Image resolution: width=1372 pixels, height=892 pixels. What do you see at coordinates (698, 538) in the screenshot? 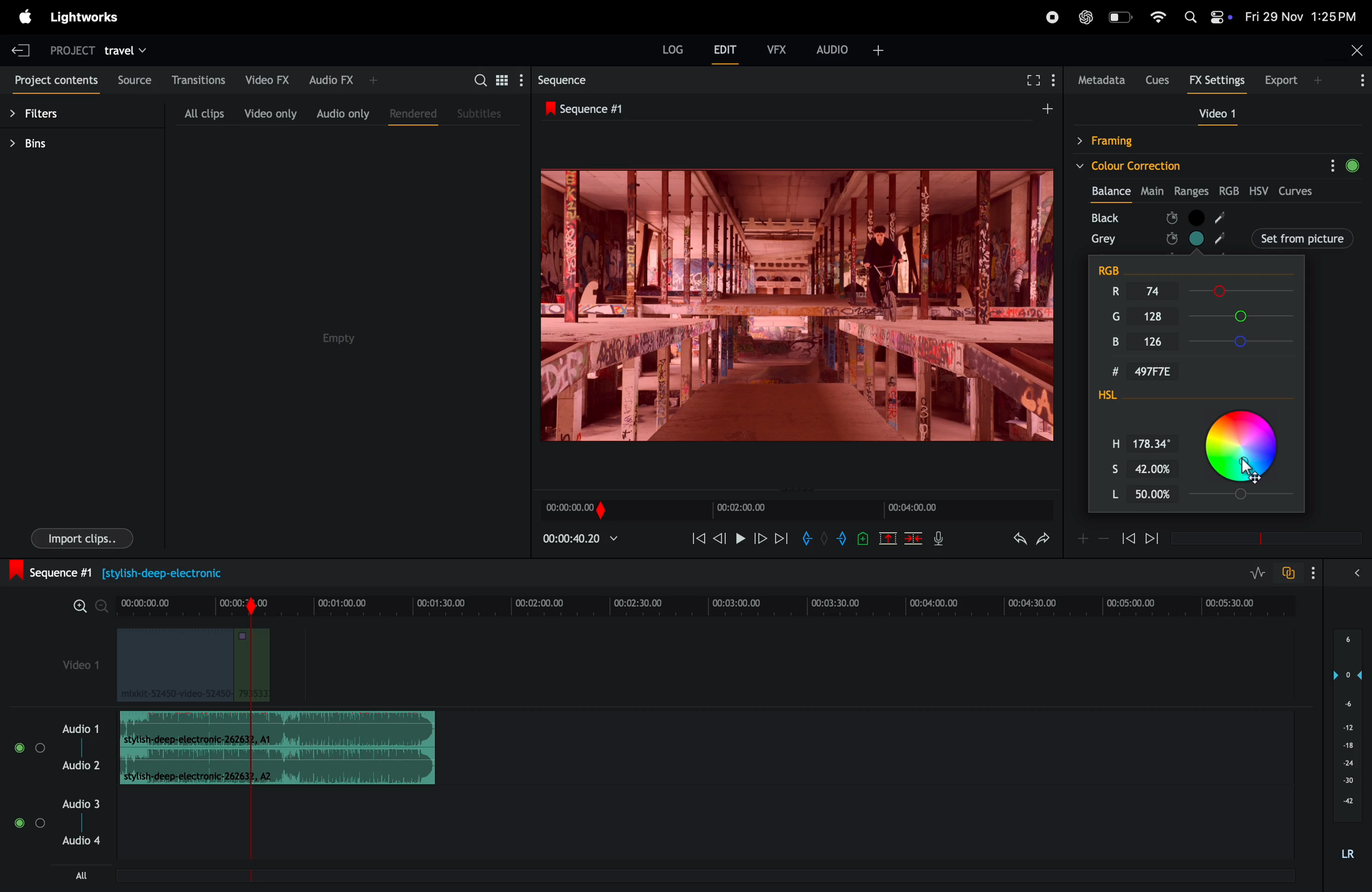
I see `rewind ` at bounding box center [698, 538].